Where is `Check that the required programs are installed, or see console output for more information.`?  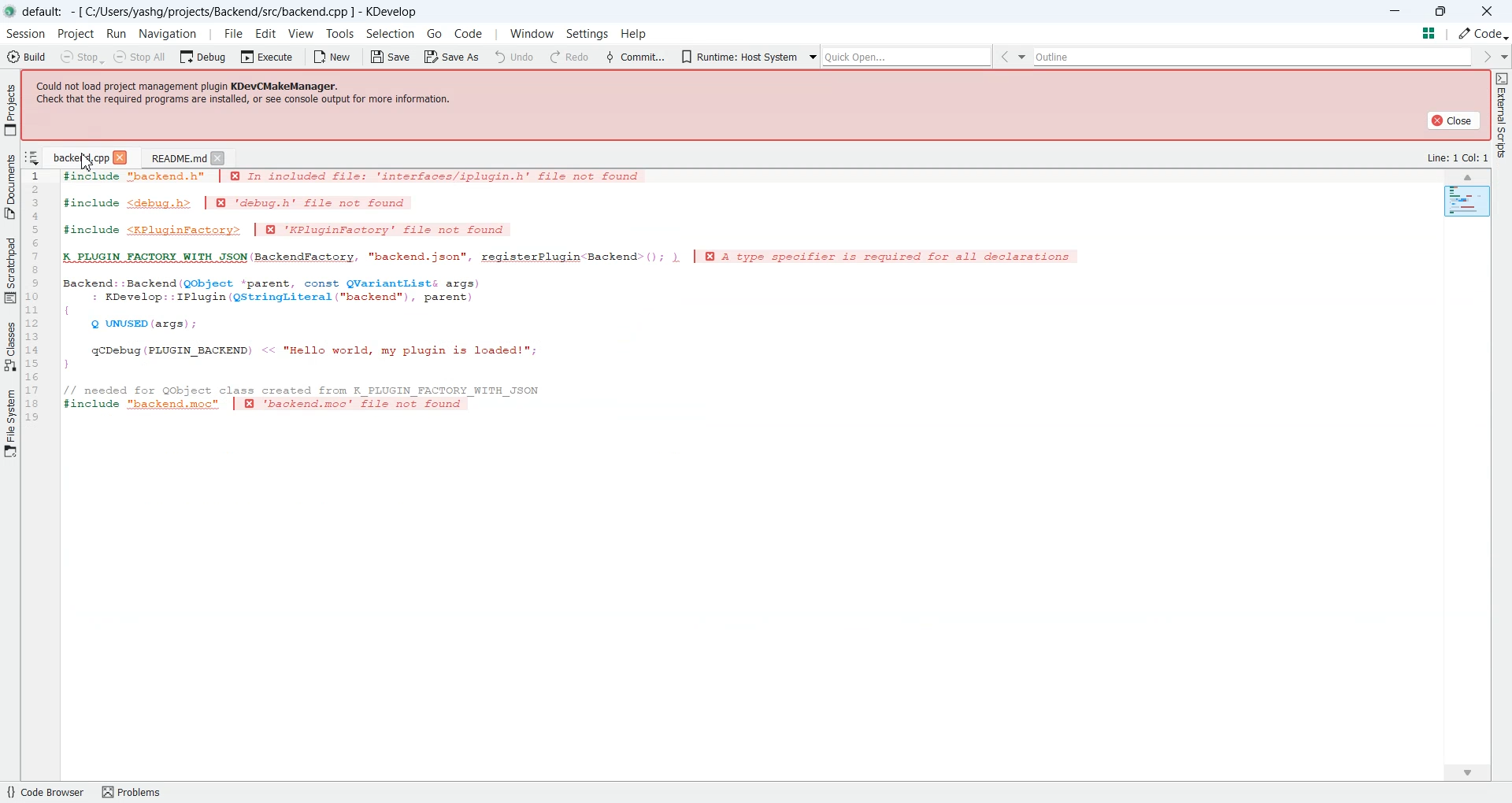 Check that the required programs are installed, or see console output for more information. is located at coordinates (247, 100).